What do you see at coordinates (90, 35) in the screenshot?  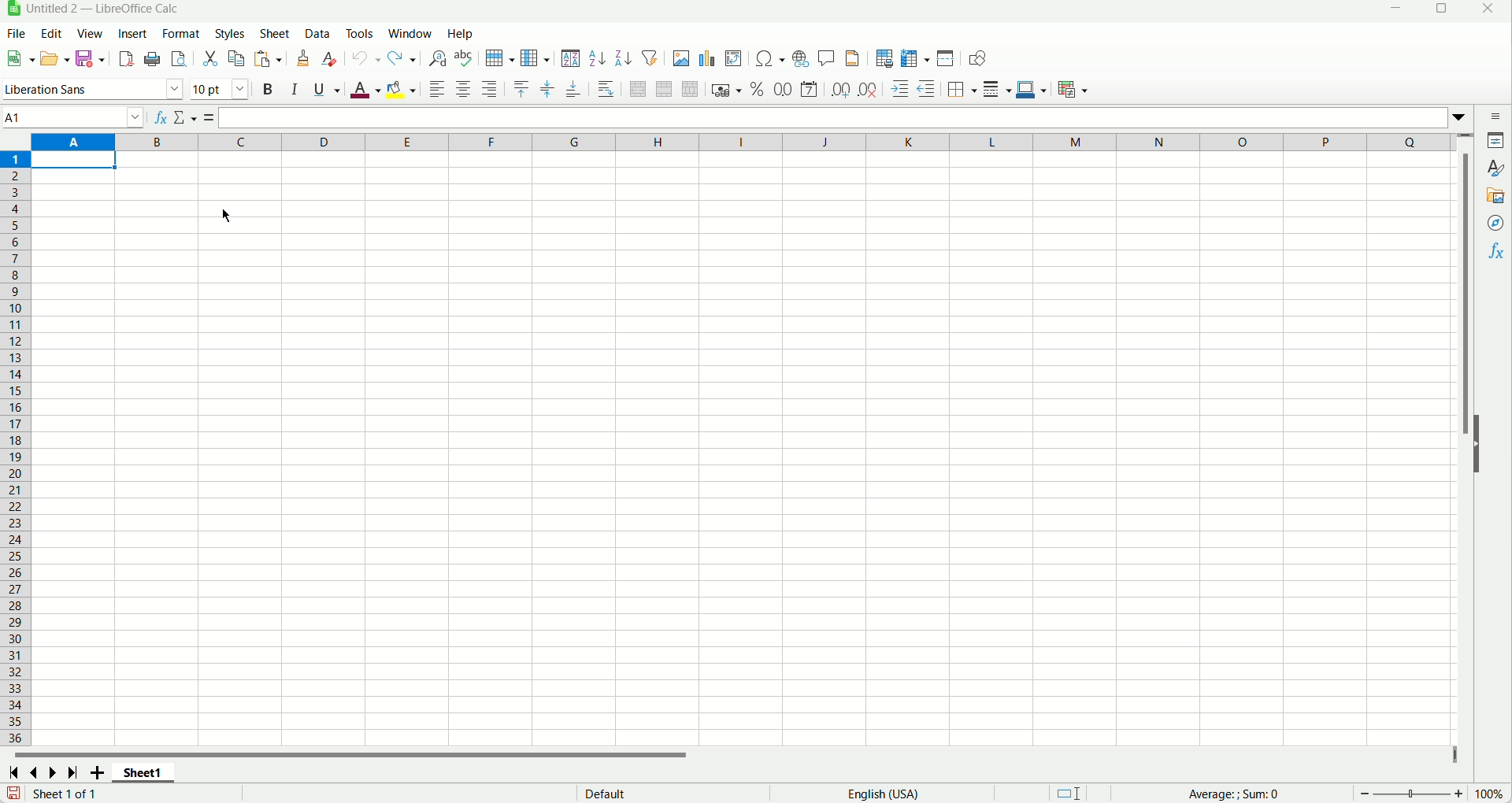 I see `View` at bounding box center [90, 35].